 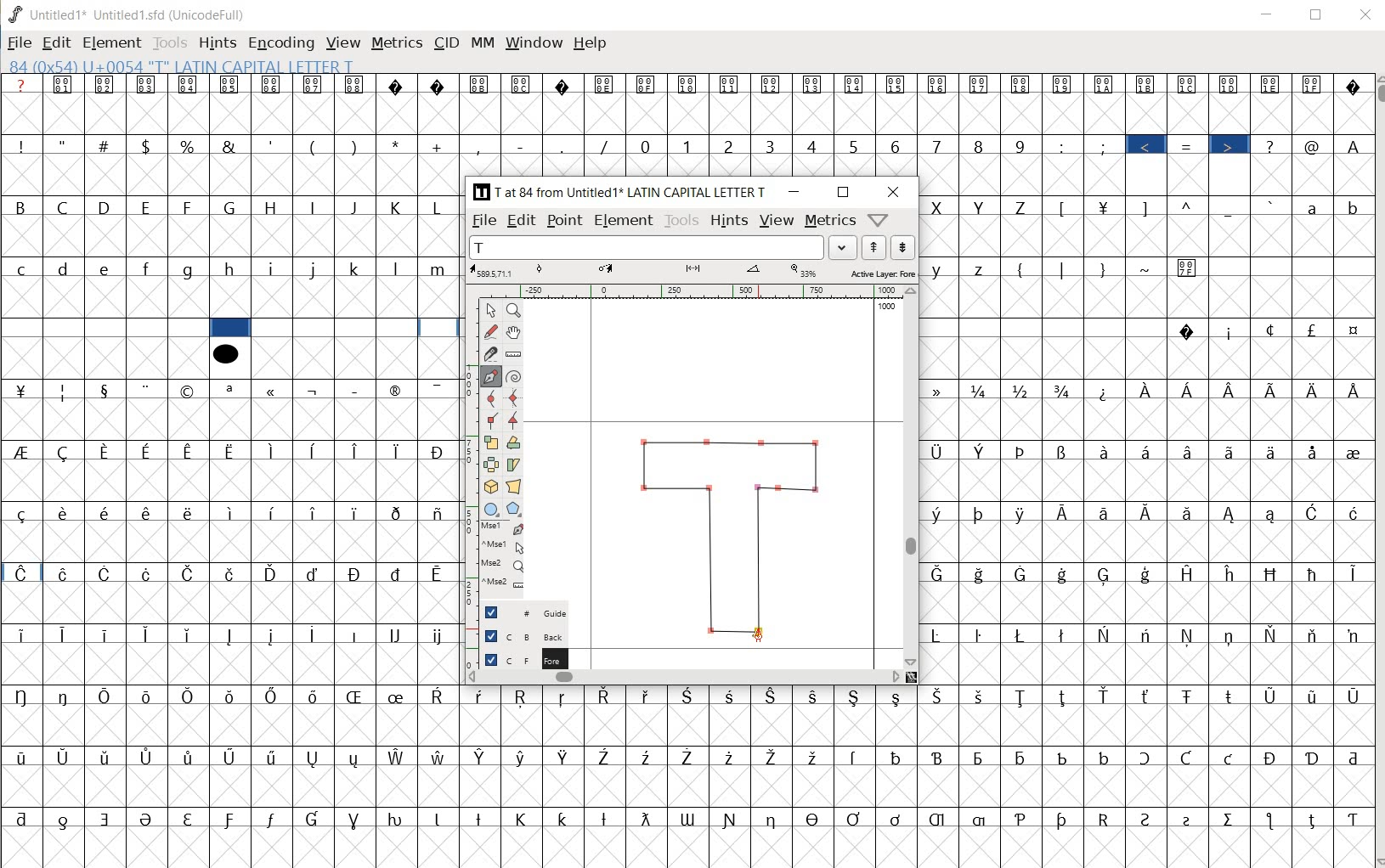 I want to click on Symbol, so click(x=107, y=819).